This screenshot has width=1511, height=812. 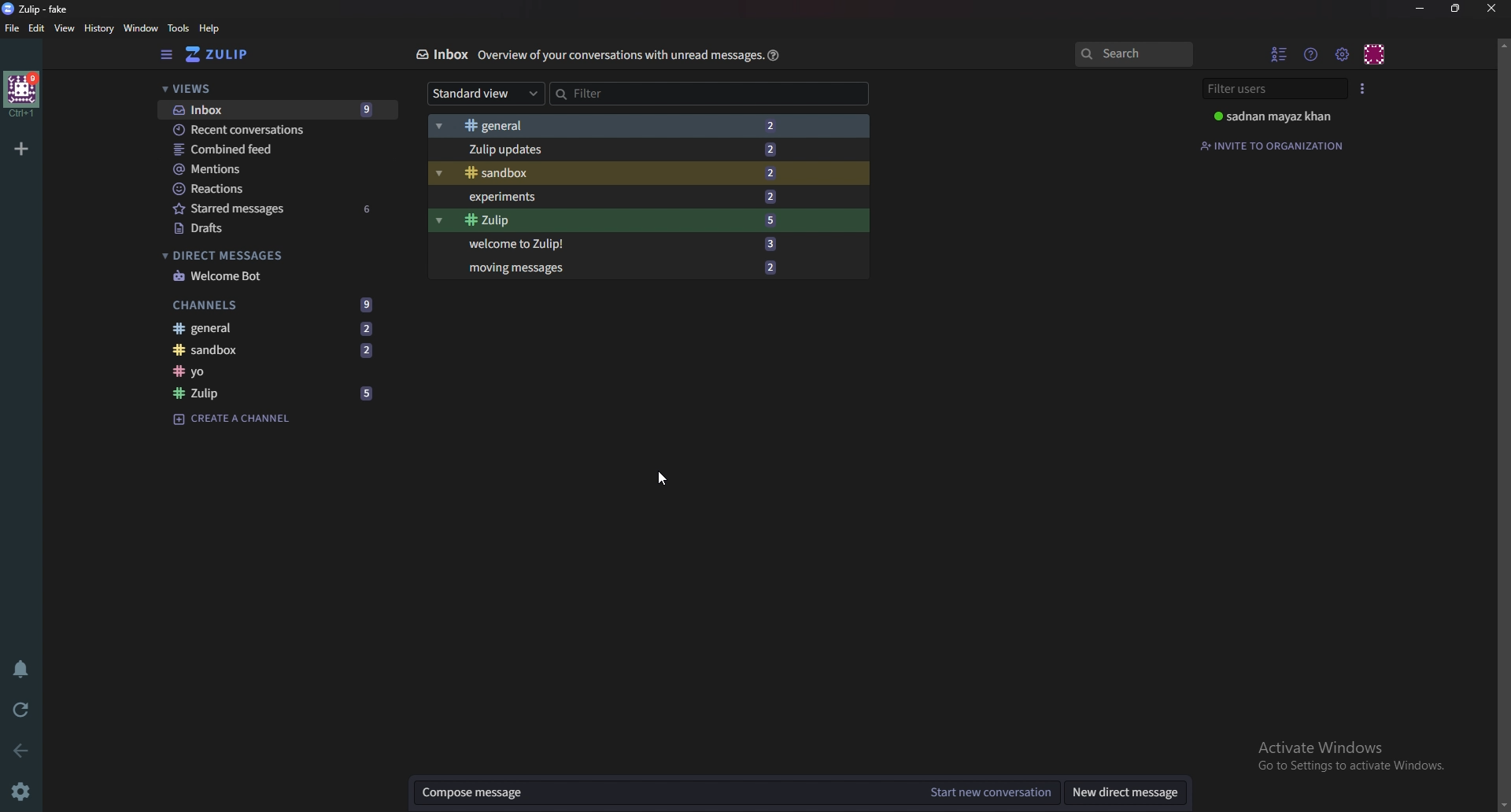 What do you see at coordinates (664, 793) in the screenshot?
I see `Compose message` at bounding box center [664, 793].